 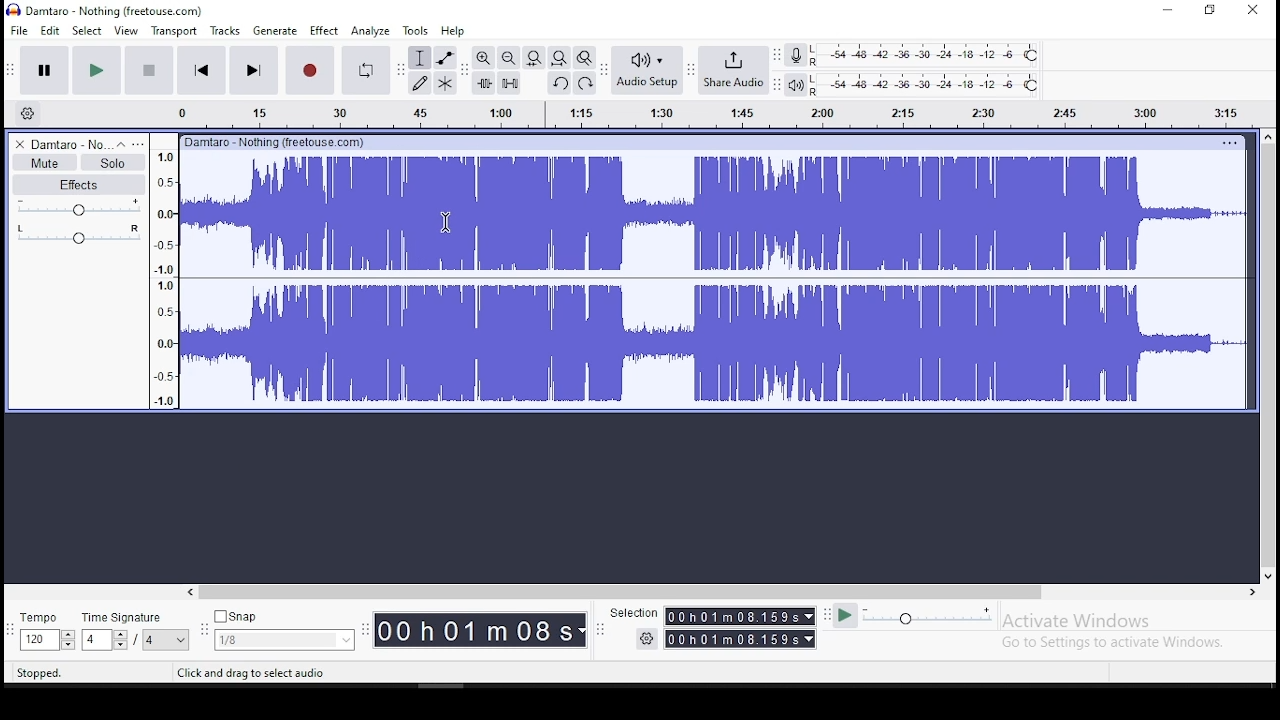 I want to click on Maximize, so click(x=1210, y=12).